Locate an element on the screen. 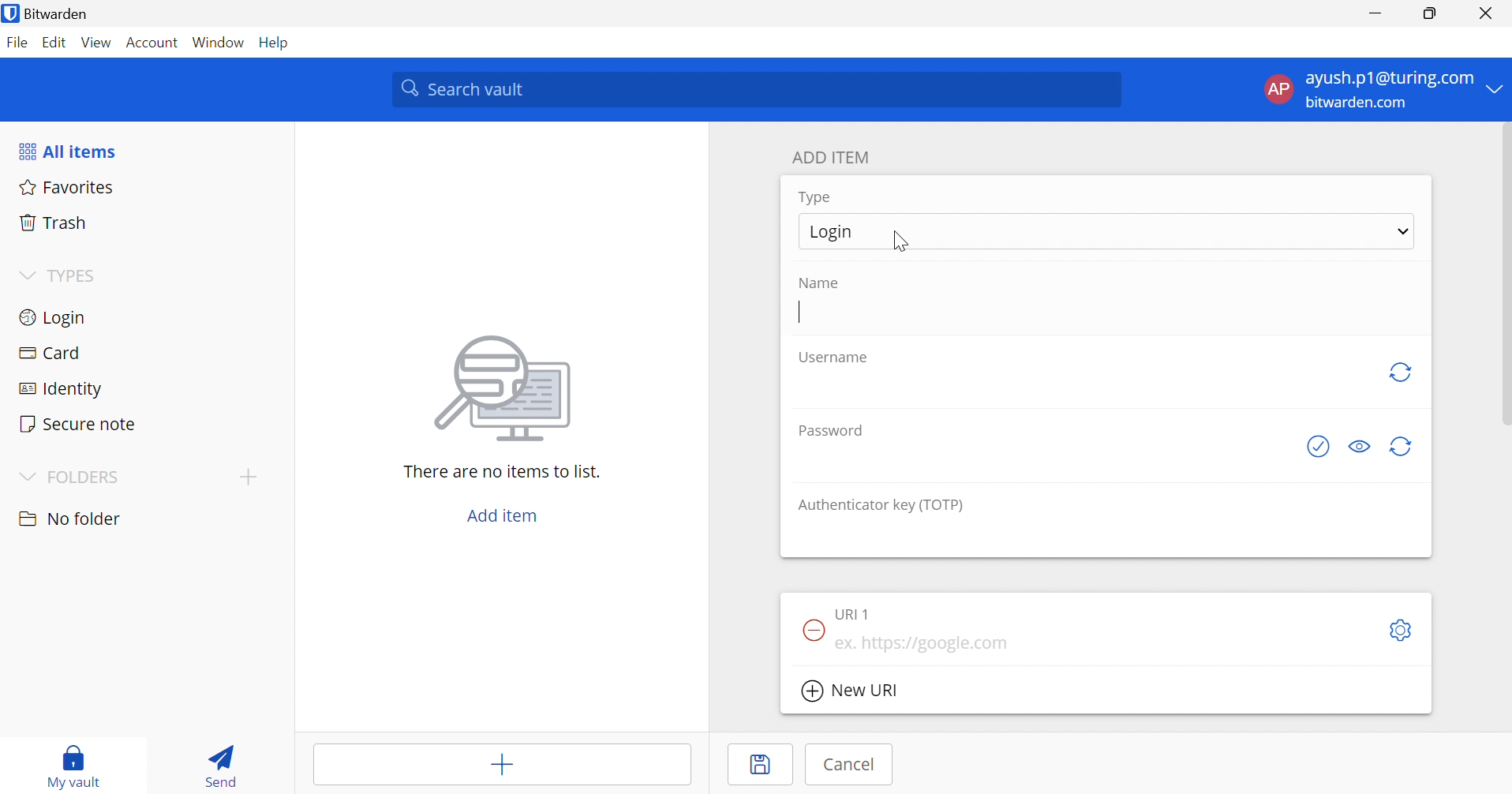  Authenticator (TOTP) is located at coordinates (882, 506).